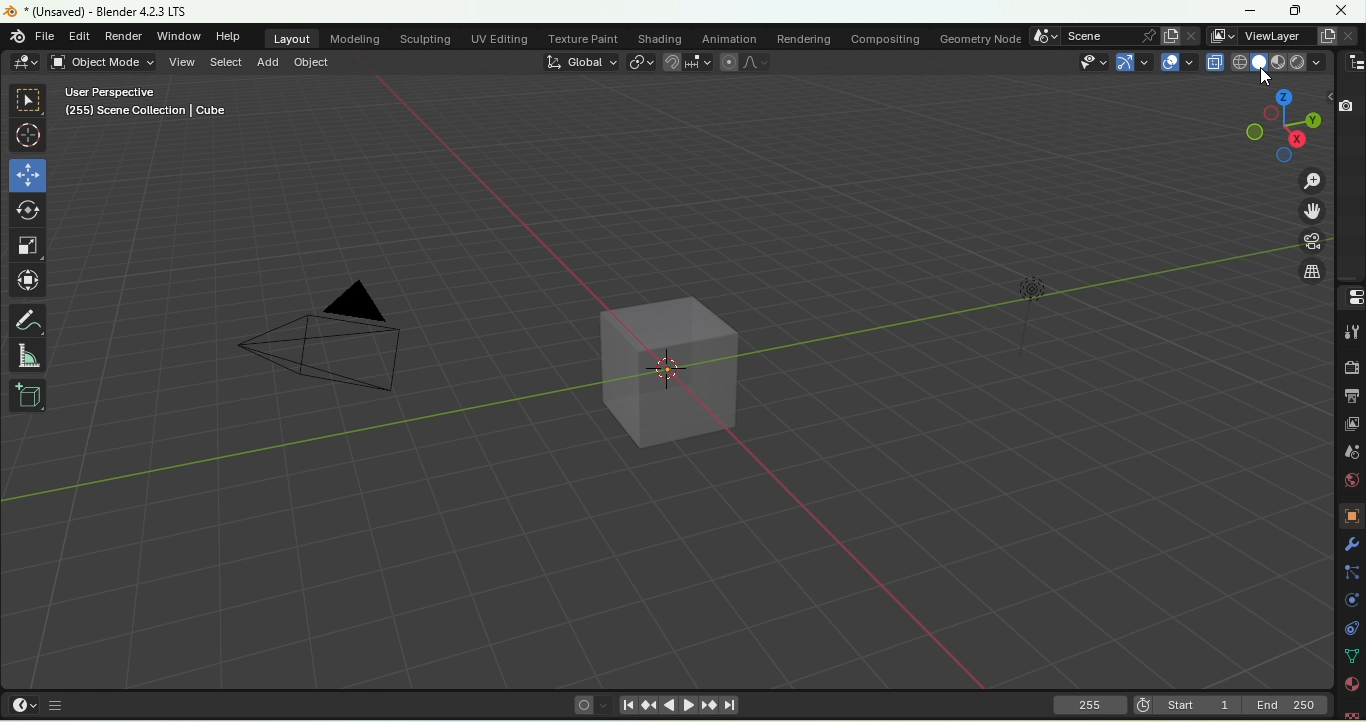 Image resolution: width=1366 pixels, height=722 pixels. Describe the element at coordinates (581, 63) in the screenshot. I see `Transform orientation` at that location.